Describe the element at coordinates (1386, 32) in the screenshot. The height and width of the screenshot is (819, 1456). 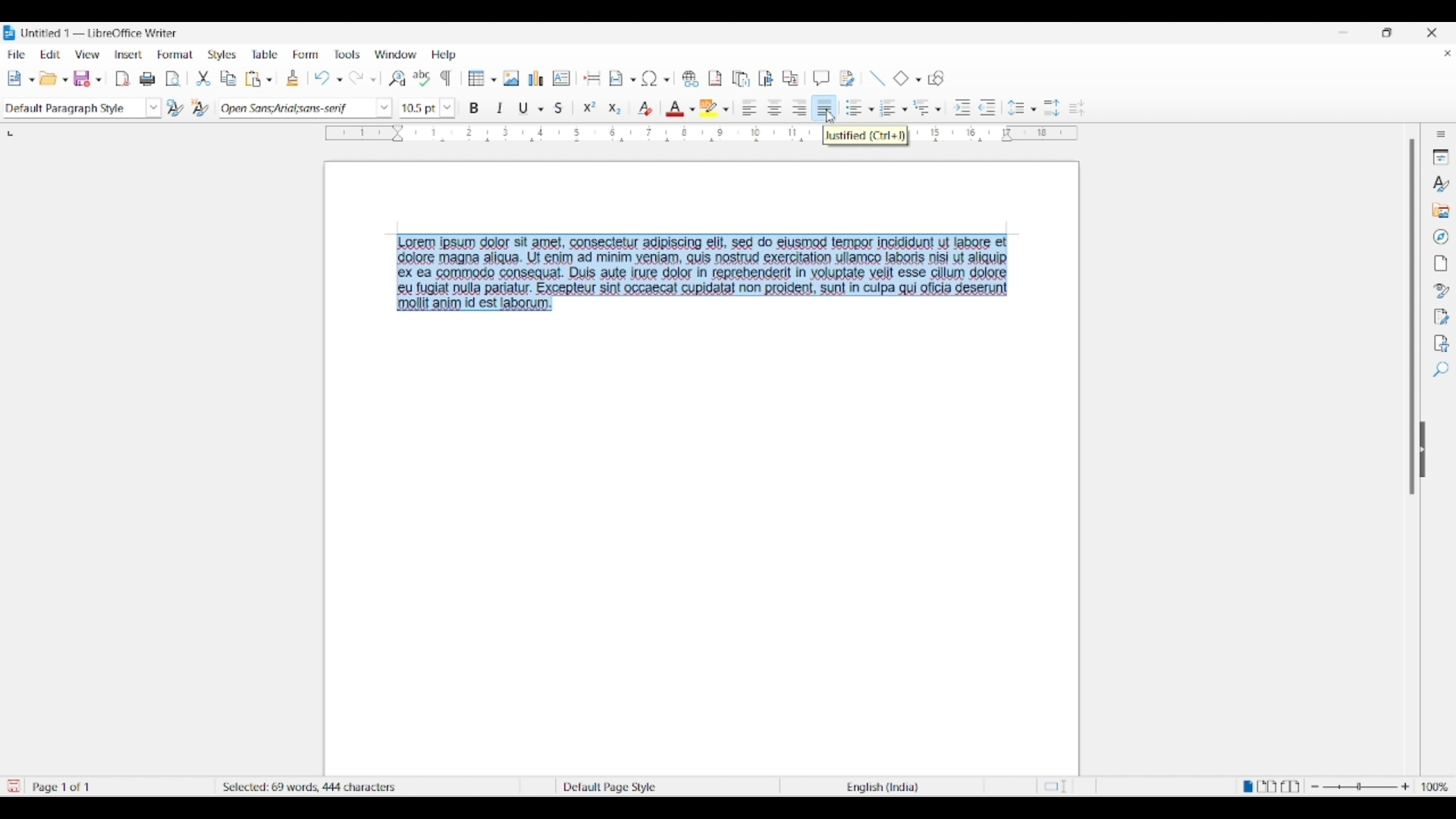
I see `Show interface in a smaller tab` at that location.